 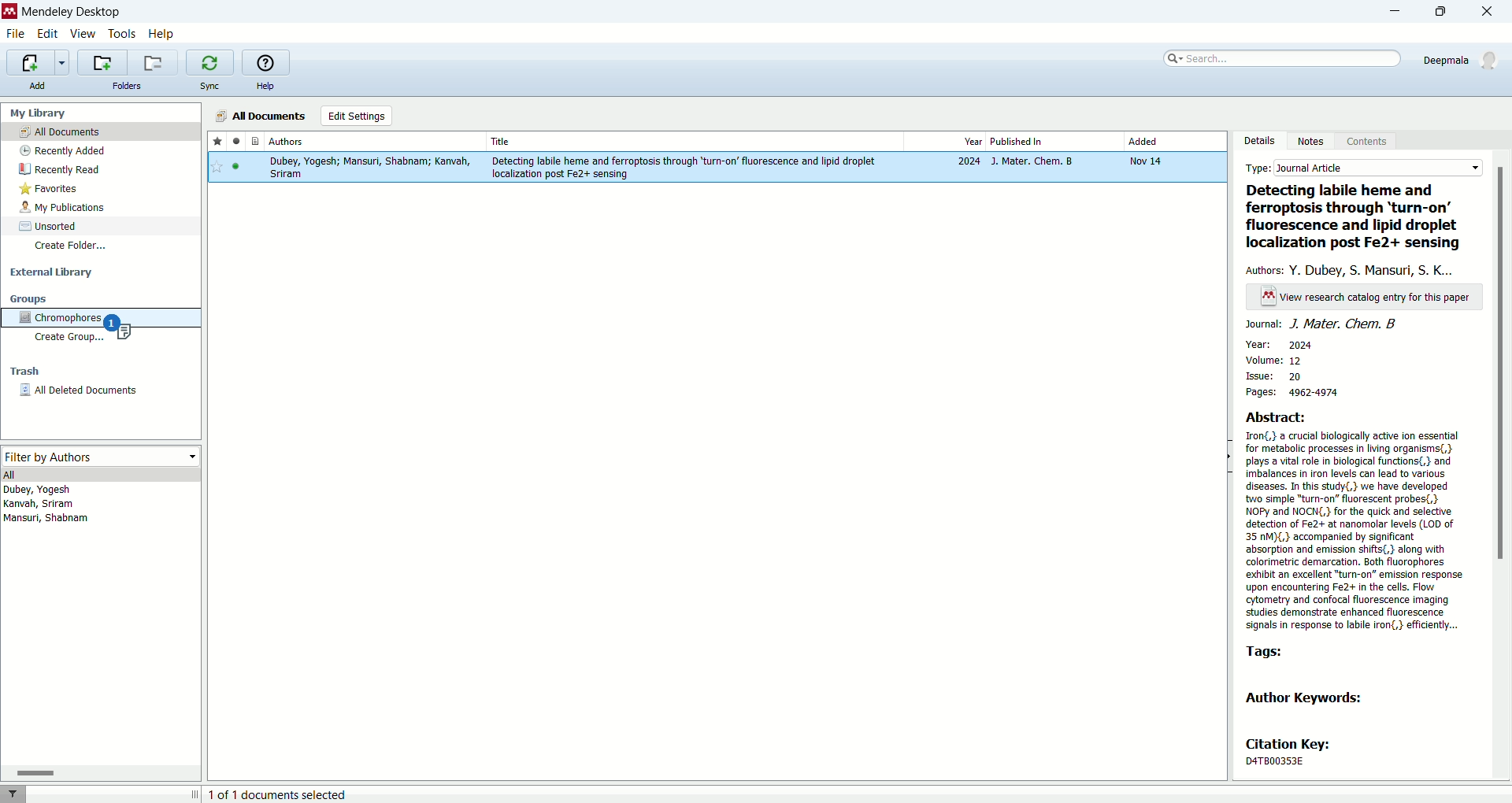 I want to click on authors, so click(x=1354, y=269).